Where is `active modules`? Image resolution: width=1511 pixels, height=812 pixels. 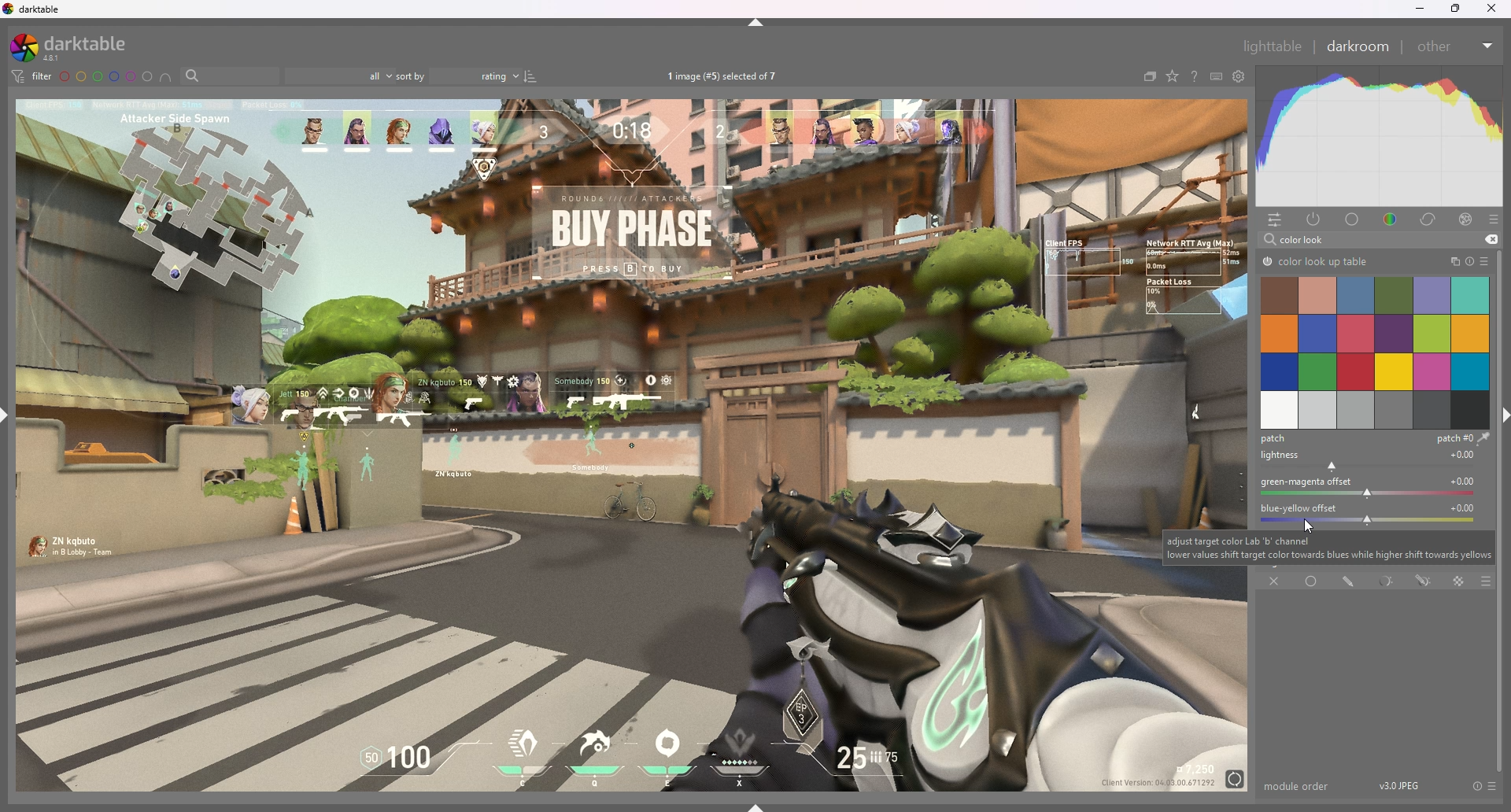
active modules is located at coordinates (1315, 220).